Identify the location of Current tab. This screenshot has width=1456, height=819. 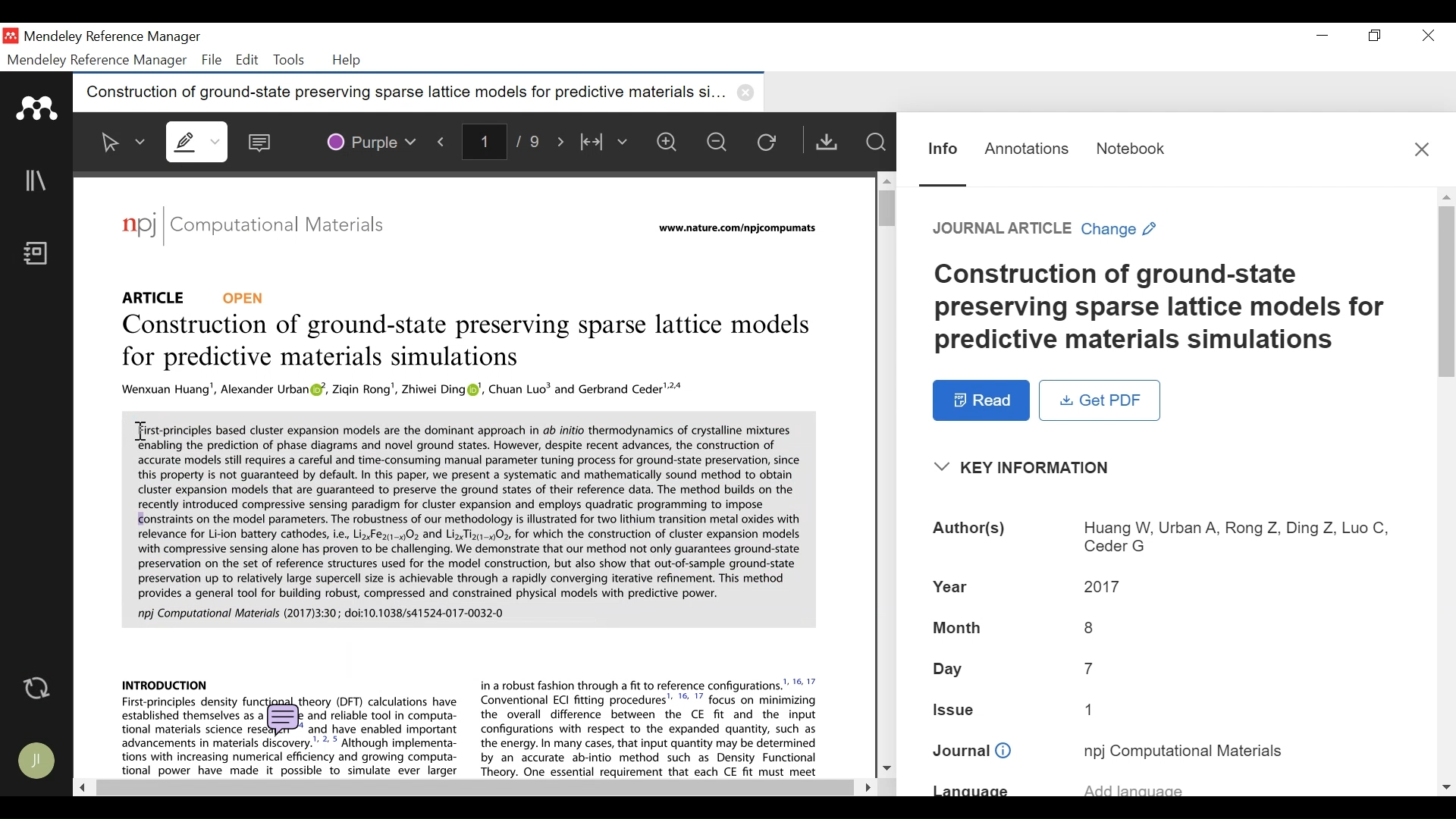
(400, 93).